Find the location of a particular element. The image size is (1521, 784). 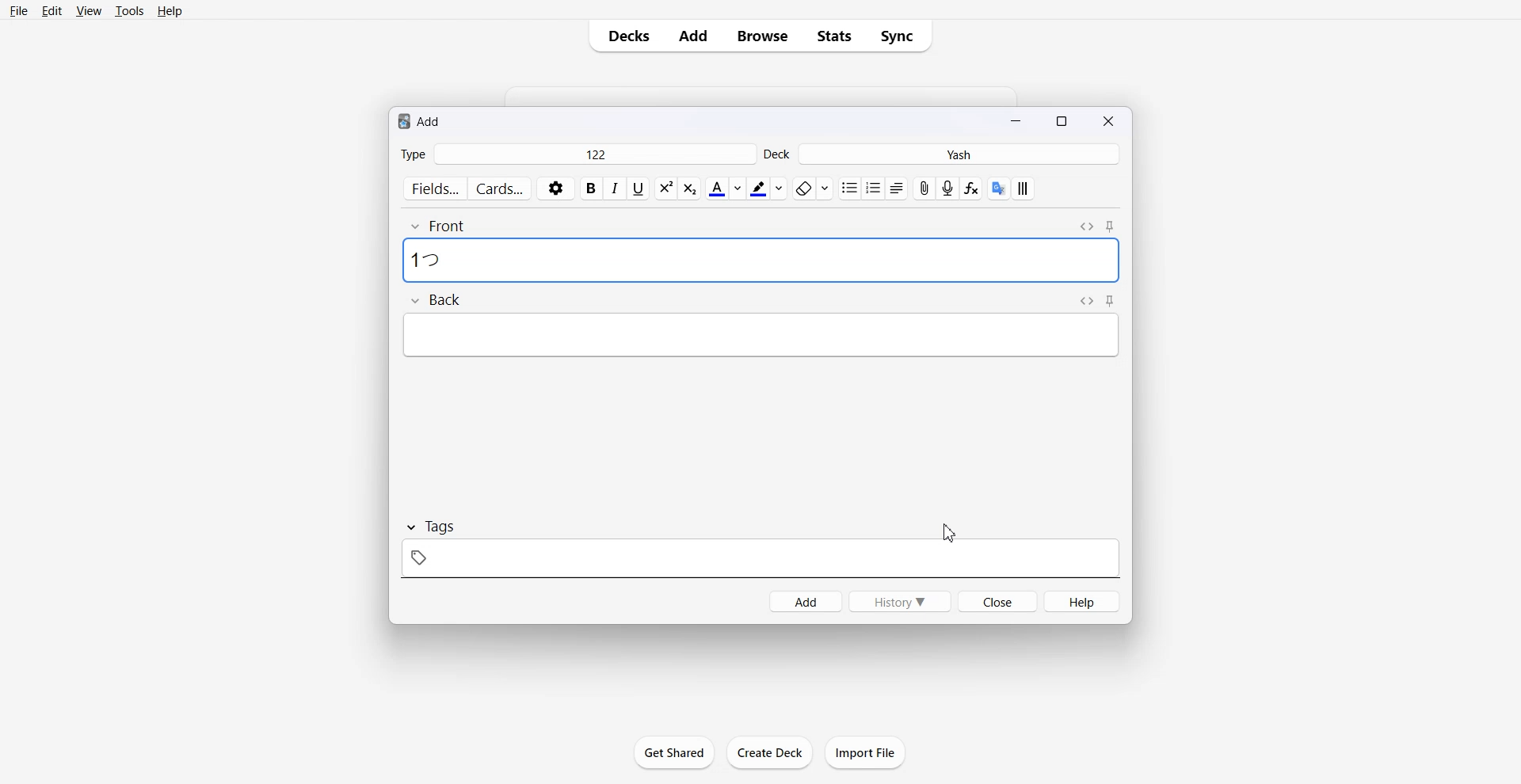

Cards is located at coordinates (501, 188).